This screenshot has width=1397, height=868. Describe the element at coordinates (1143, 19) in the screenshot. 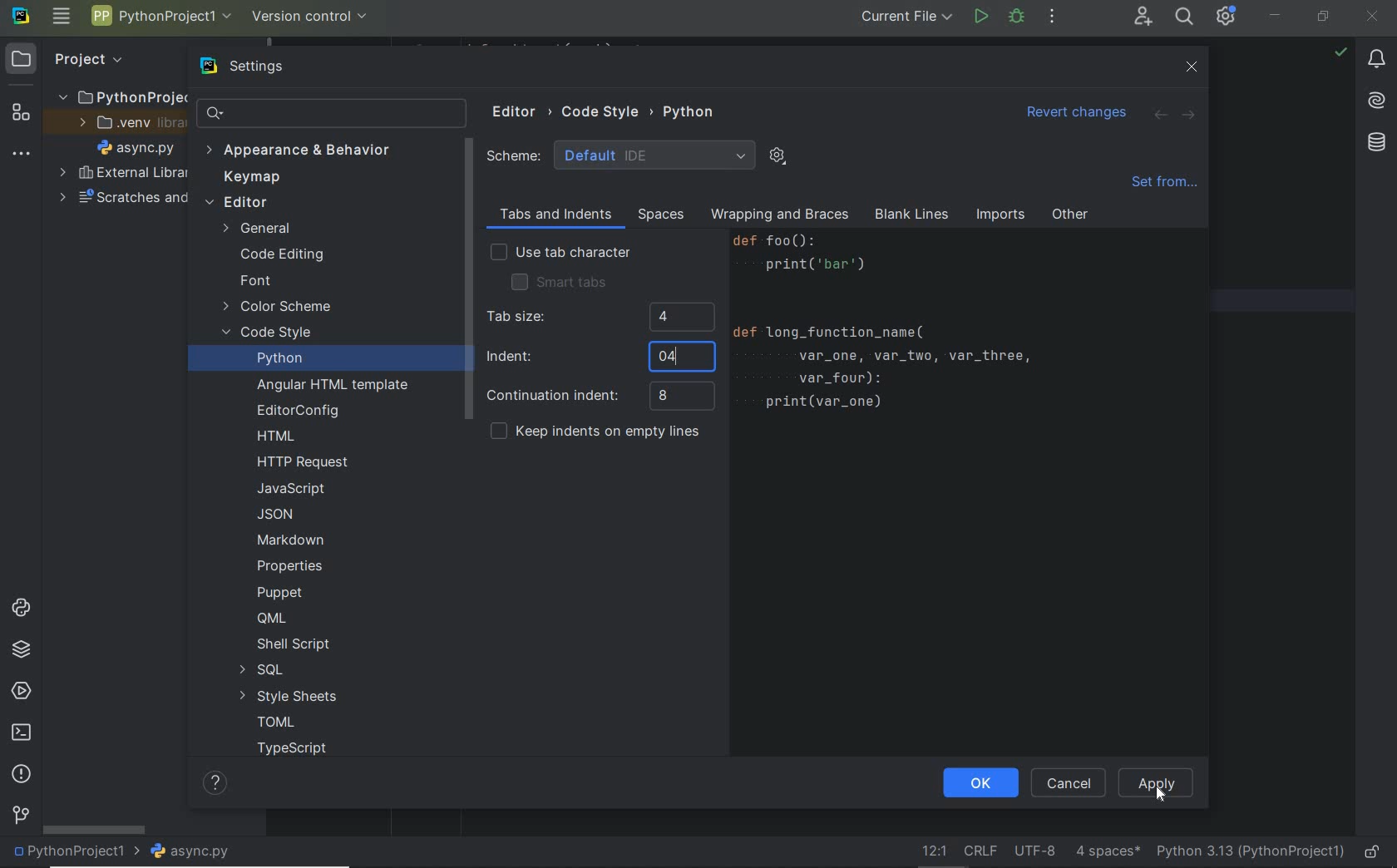

I see `code with me` at that location.